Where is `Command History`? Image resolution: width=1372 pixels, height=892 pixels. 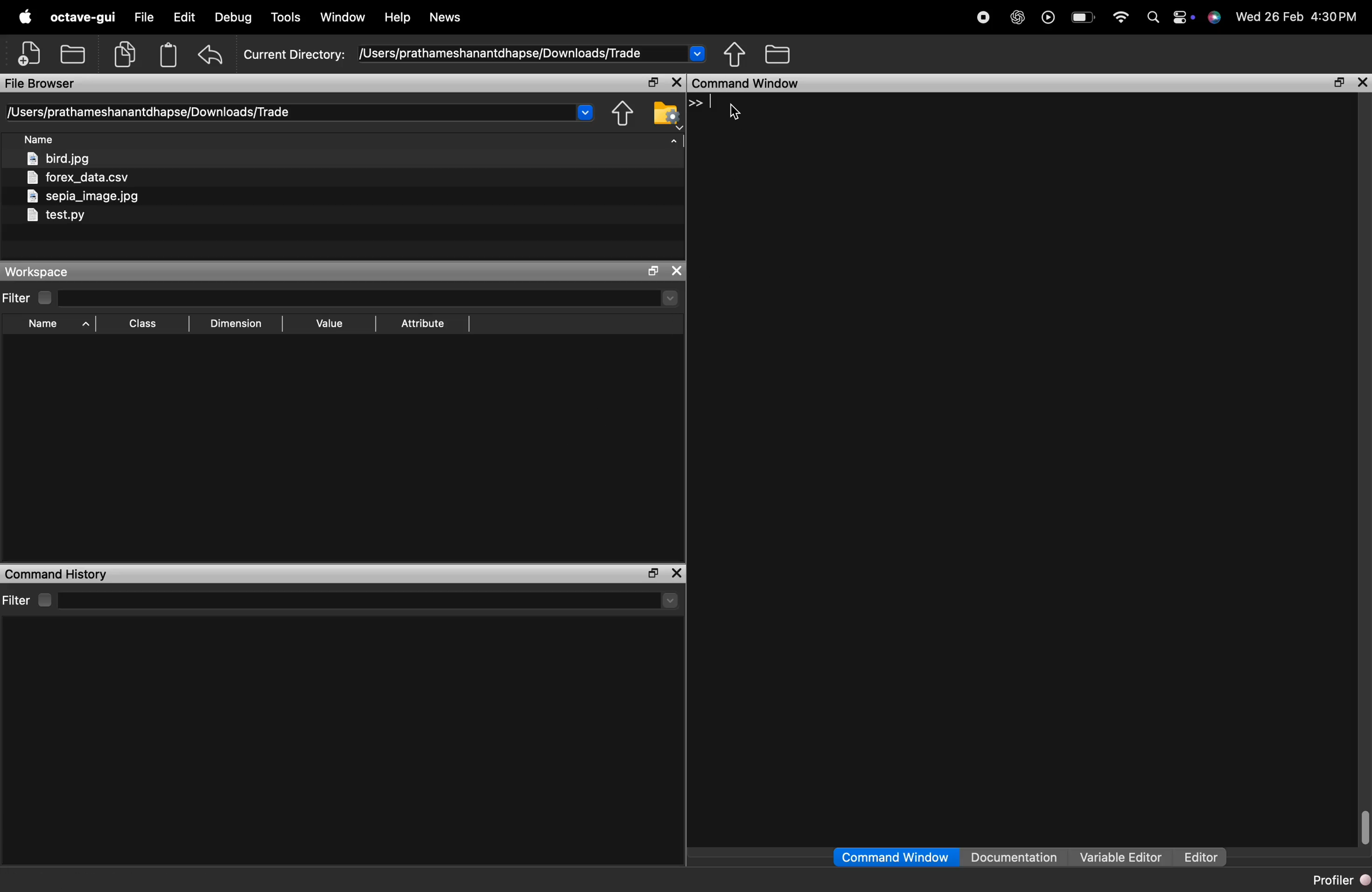 Command History is located at coordinates (55, 575).